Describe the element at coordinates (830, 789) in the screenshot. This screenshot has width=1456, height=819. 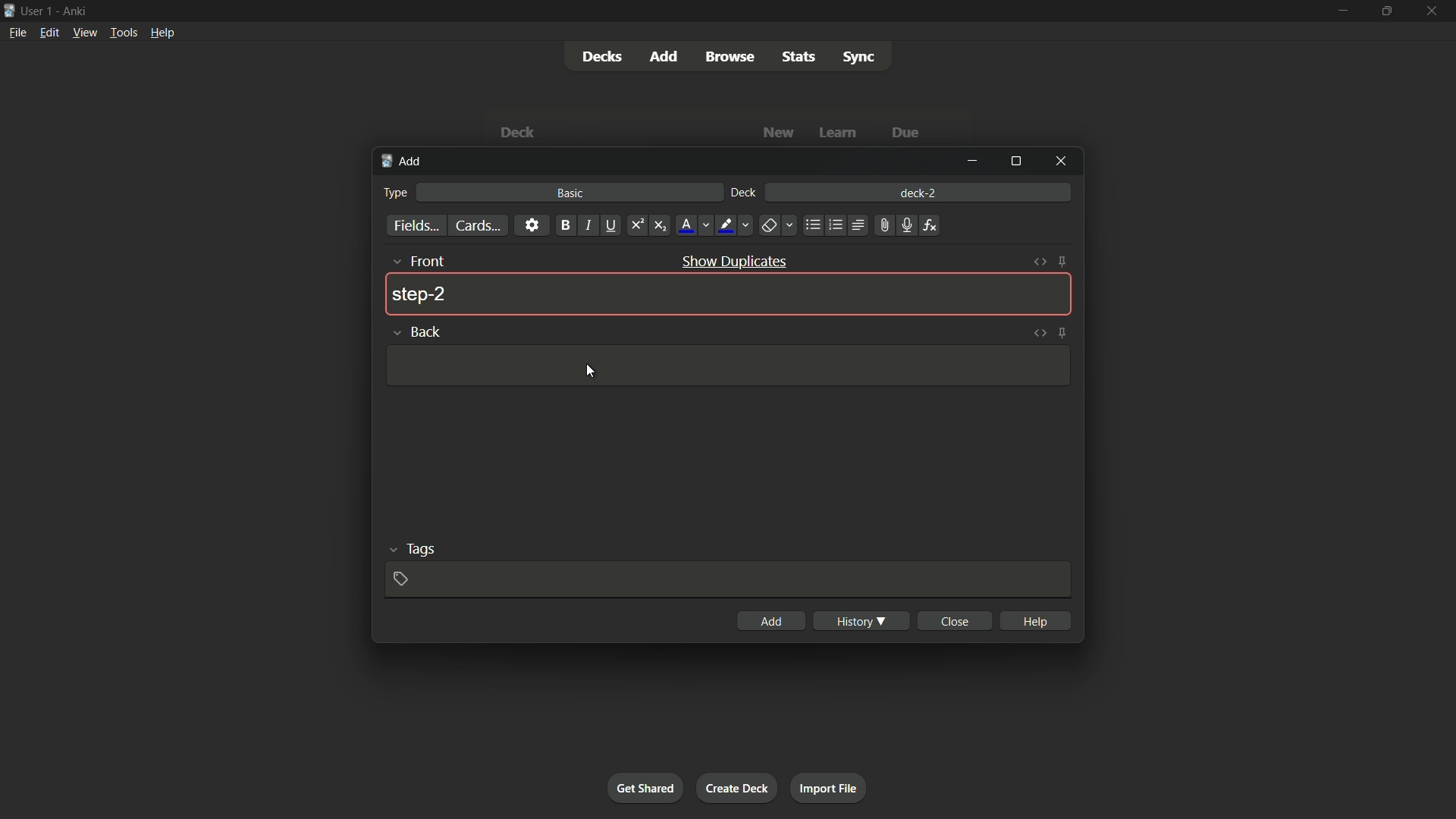
I see `import file` at that location.